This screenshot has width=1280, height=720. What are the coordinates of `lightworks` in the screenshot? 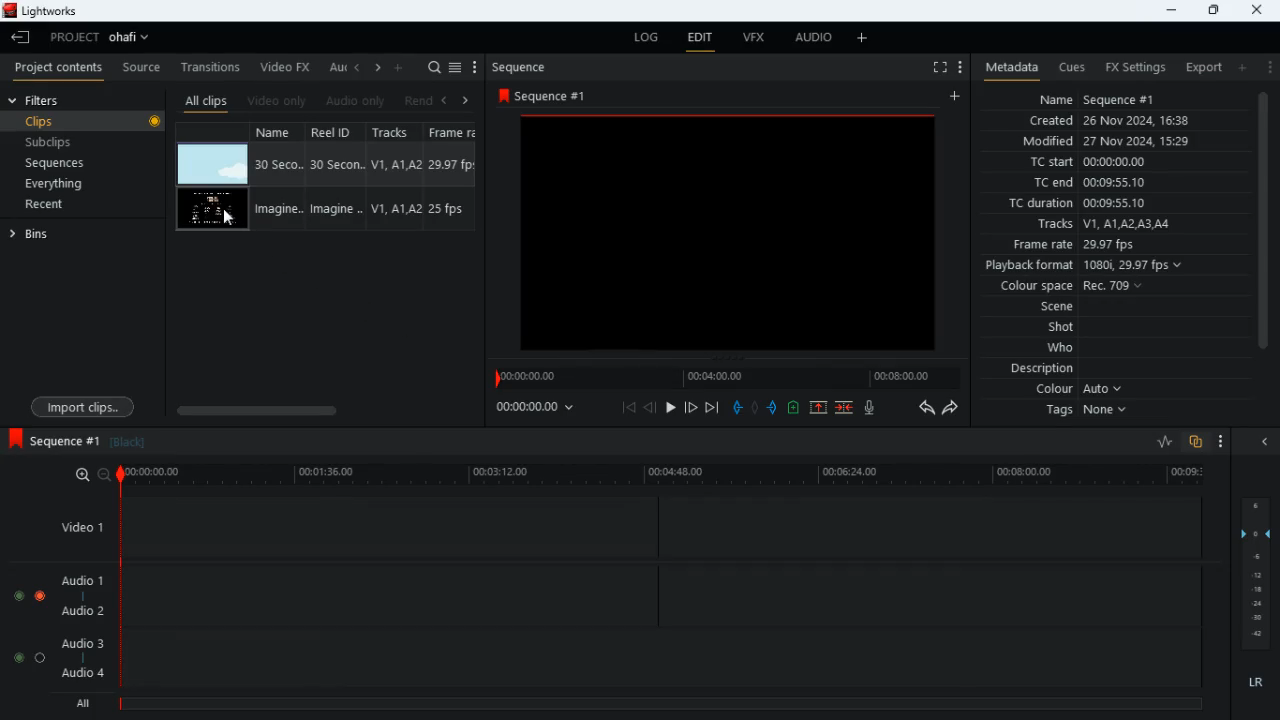 It's located at (47, 12).